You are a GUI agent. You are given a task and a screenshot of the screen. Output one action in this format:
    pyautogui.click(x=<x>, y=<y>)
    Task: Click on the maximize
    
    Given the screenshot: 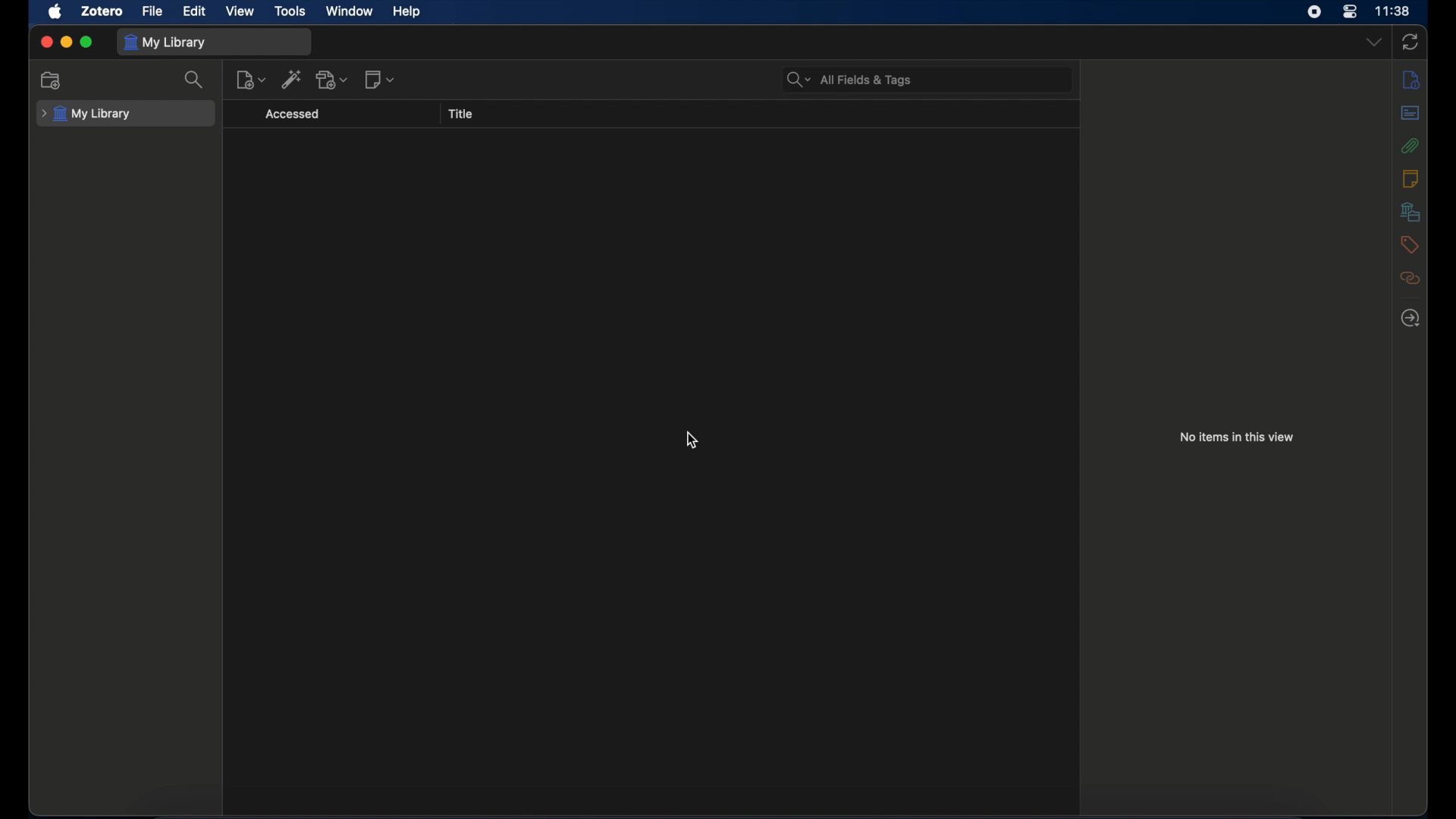 What is the action you would take?
    pyautogui.click(x=86, y=42)
    